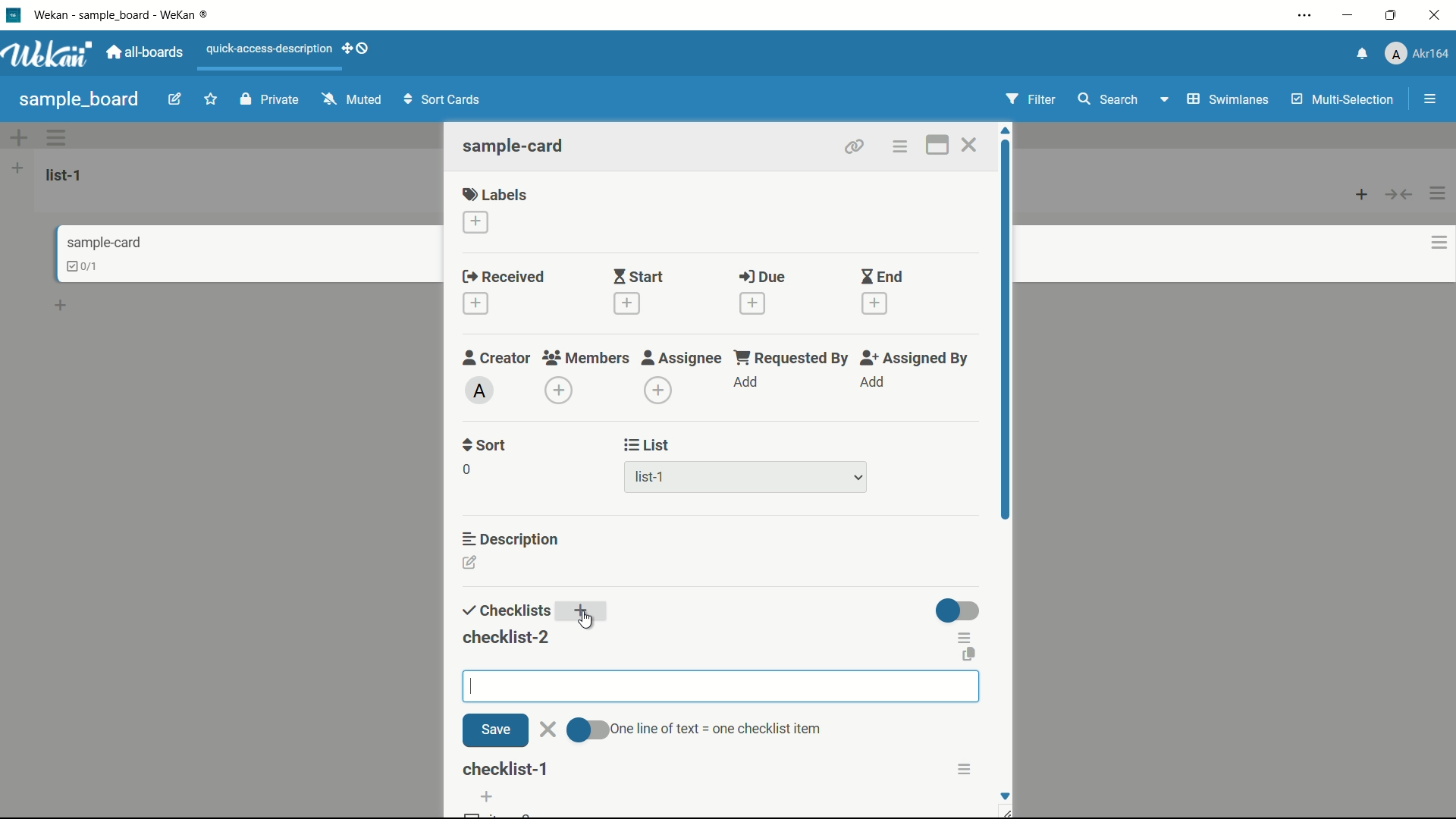 This screenshot has height=819, width=1456. Describe the element at coordinates (937, 147) in the screenshot. I see `maximize card` at that location.